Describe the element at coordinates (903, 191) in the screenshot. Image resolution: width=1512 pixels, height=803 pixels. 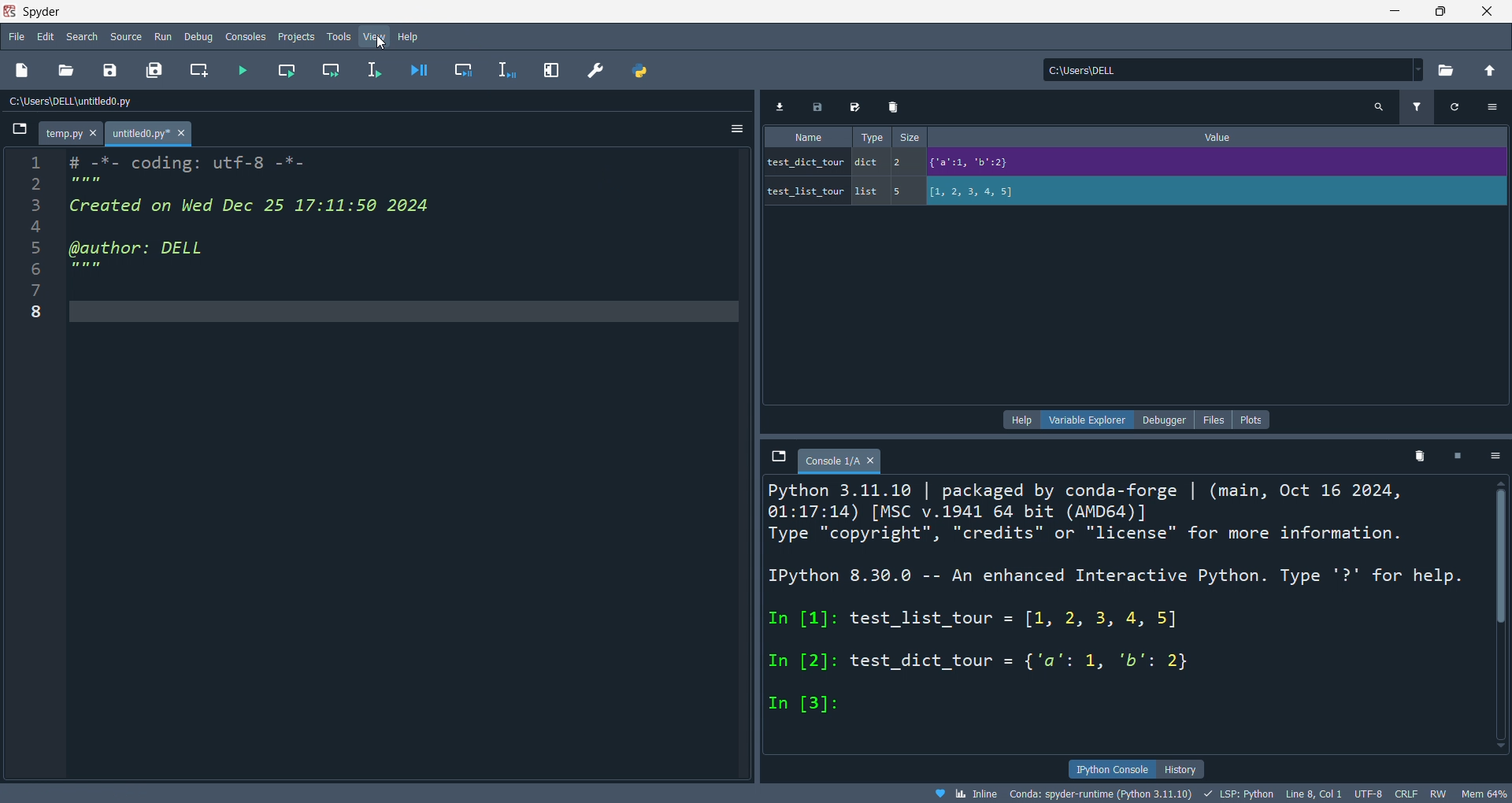
I see `5` at that location.